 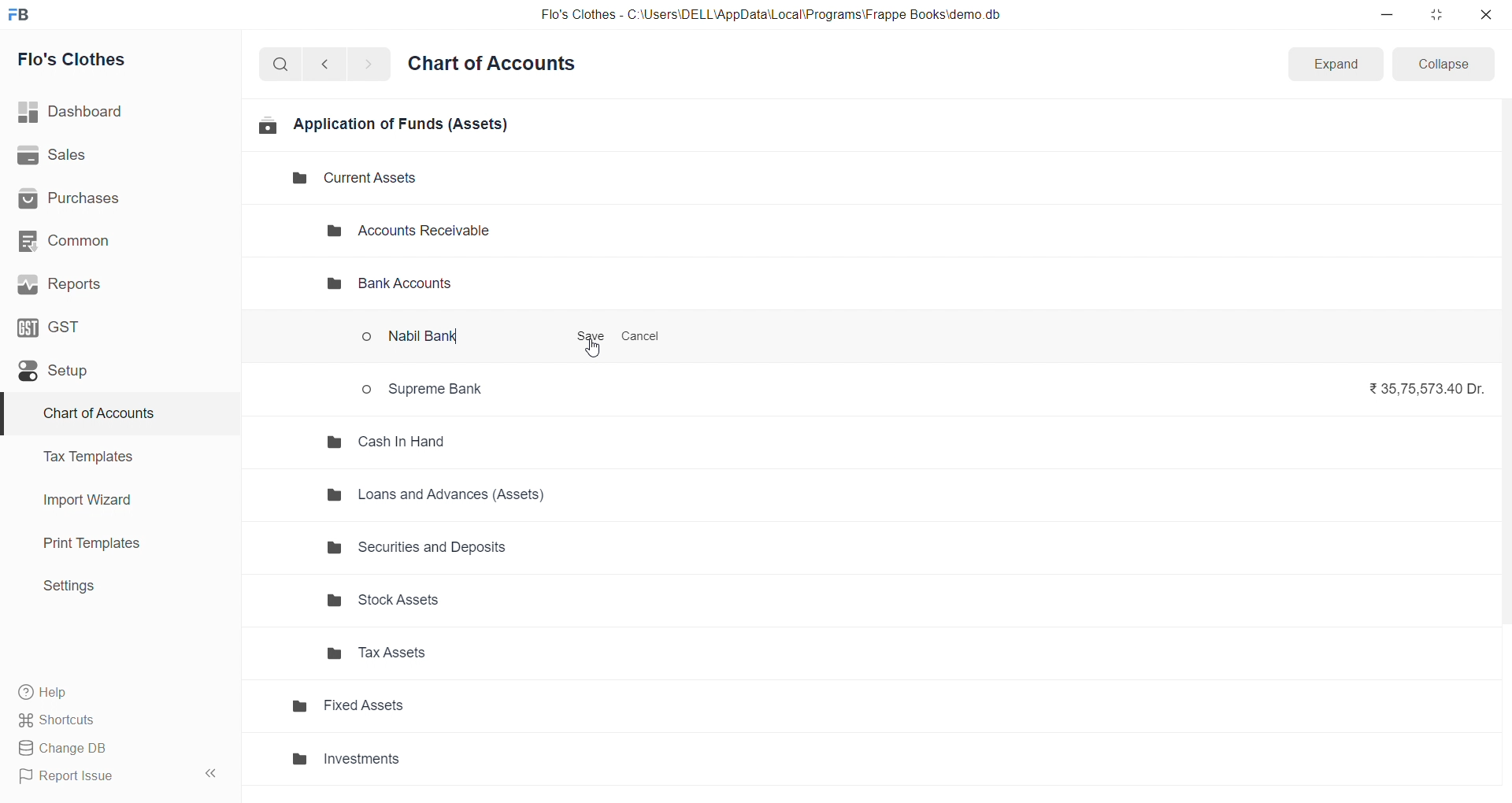 I want to click on navigate forward, so click(x=368, y=63).